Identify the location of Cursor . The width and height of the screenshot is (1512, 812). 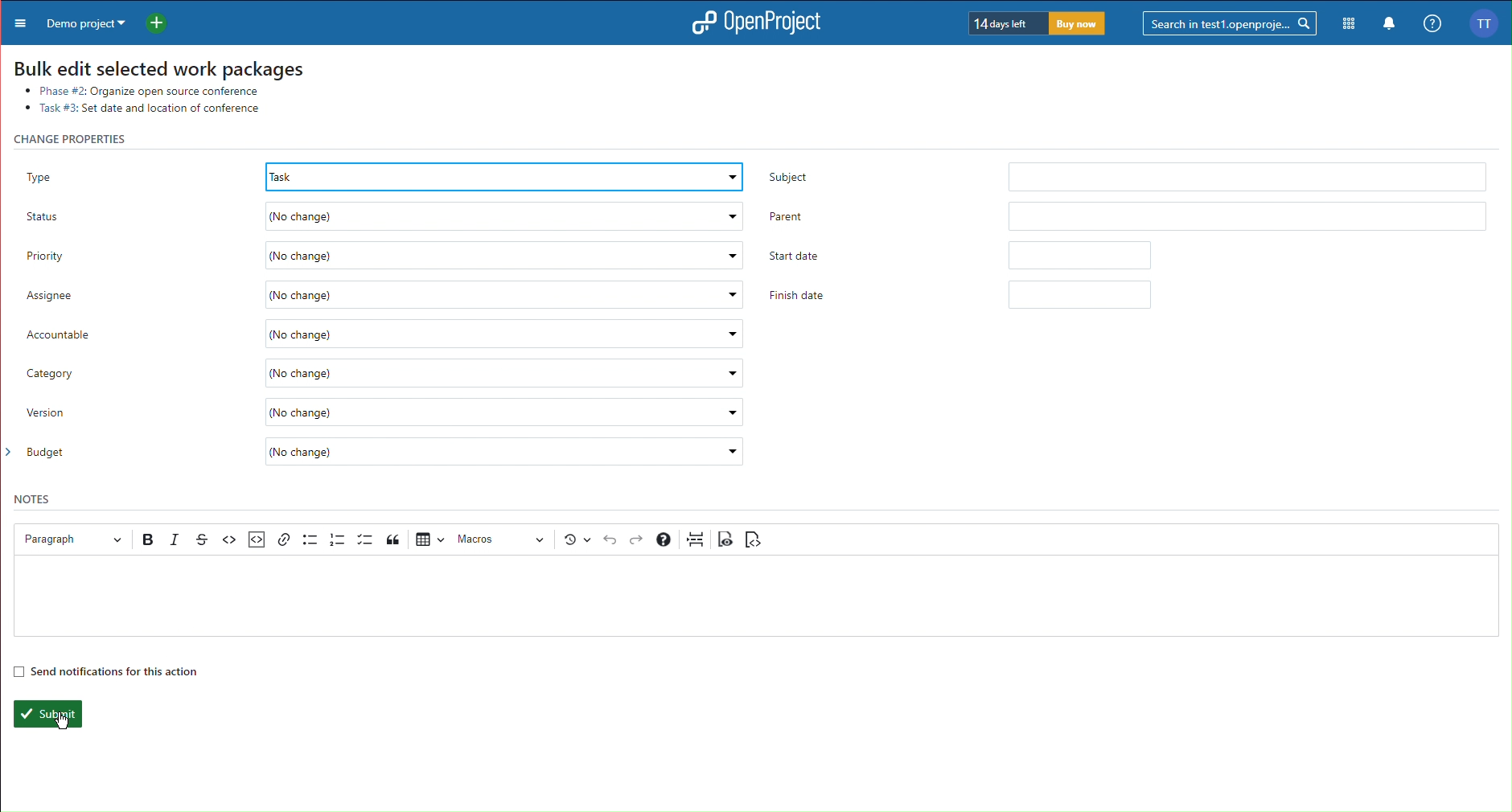
(60, 722).